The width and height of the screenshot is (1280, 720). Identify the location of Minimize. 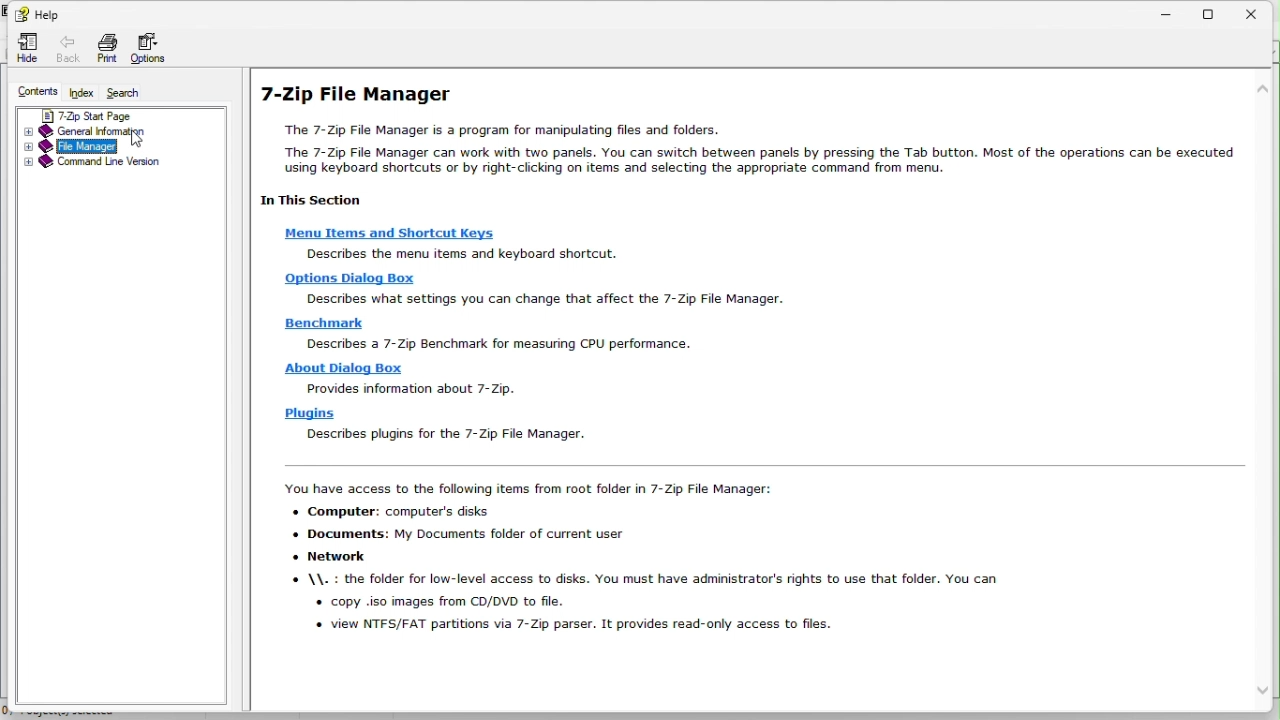
(1175, 10).